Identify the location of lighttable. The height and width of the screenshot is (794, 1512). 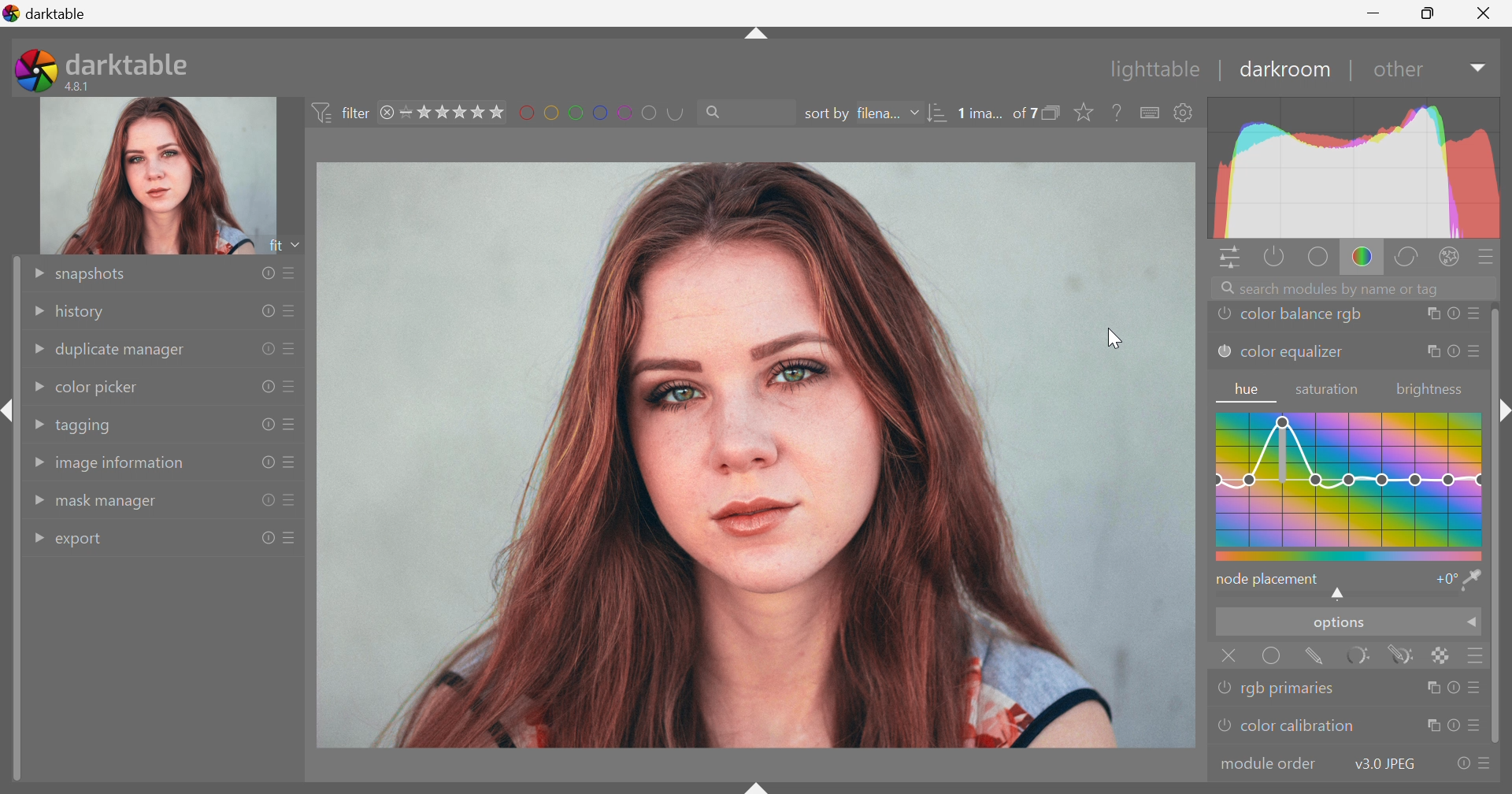
(1150, 70).